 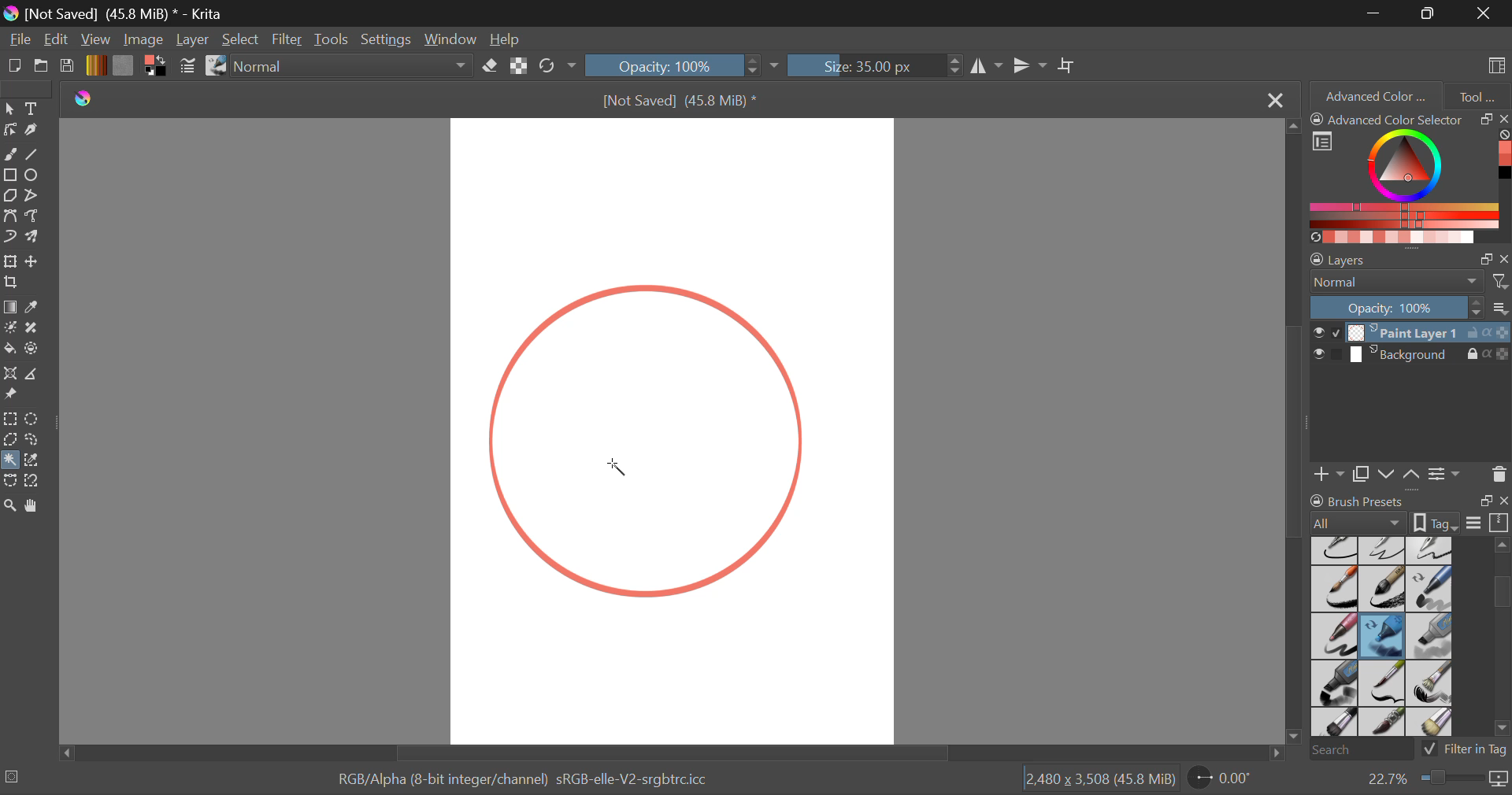 What do you see at coordinates (34, 195) in the screenshot?
I see `Polyline Tool` at bounding box center [34, 195].